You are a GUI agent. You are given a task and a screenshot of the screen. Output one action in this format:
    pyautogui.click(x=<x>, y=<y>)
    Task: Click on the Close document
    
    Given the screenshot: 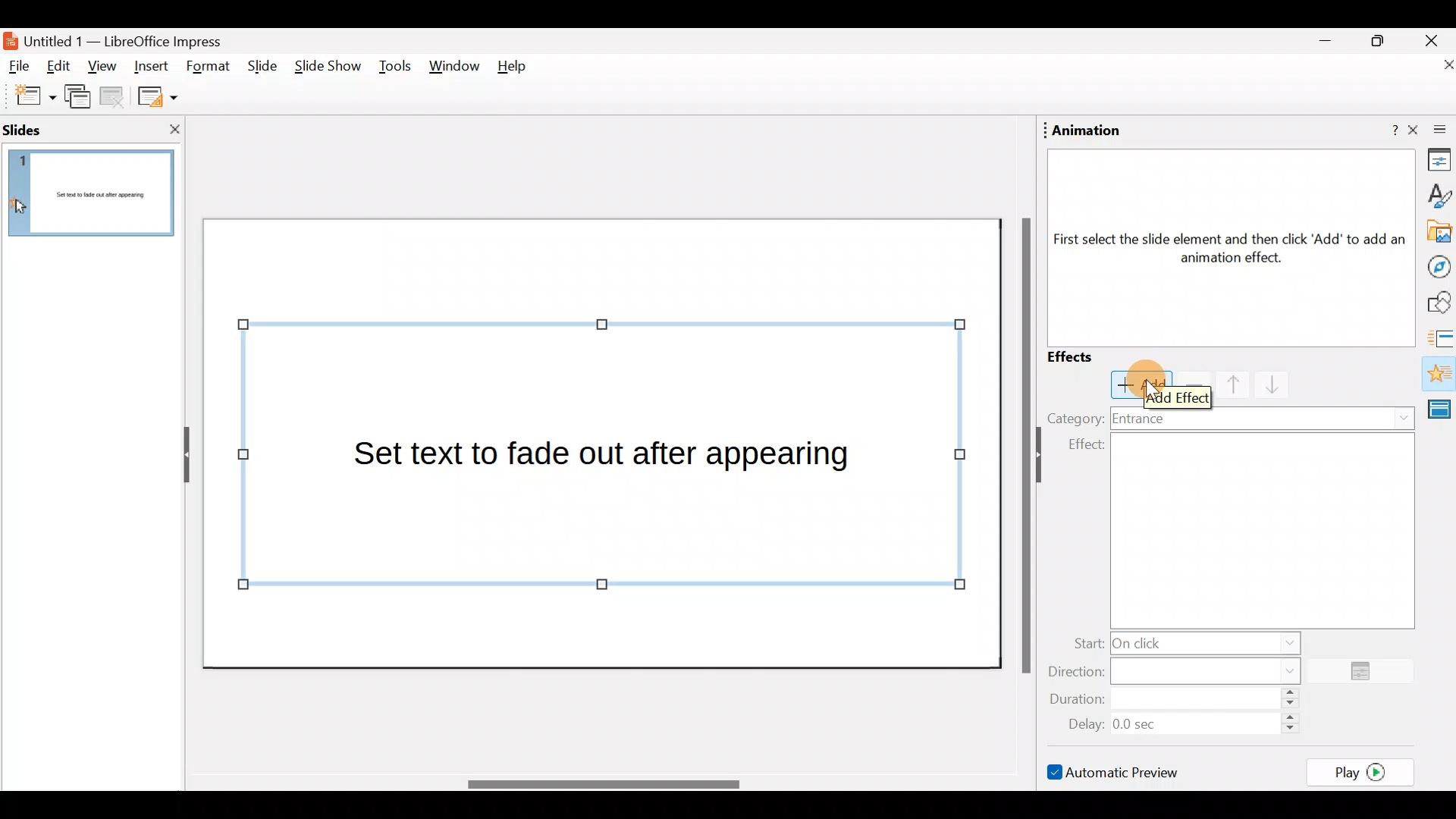 What is the action you would take?
    pyautogui.click(x=1433, y=66)
    